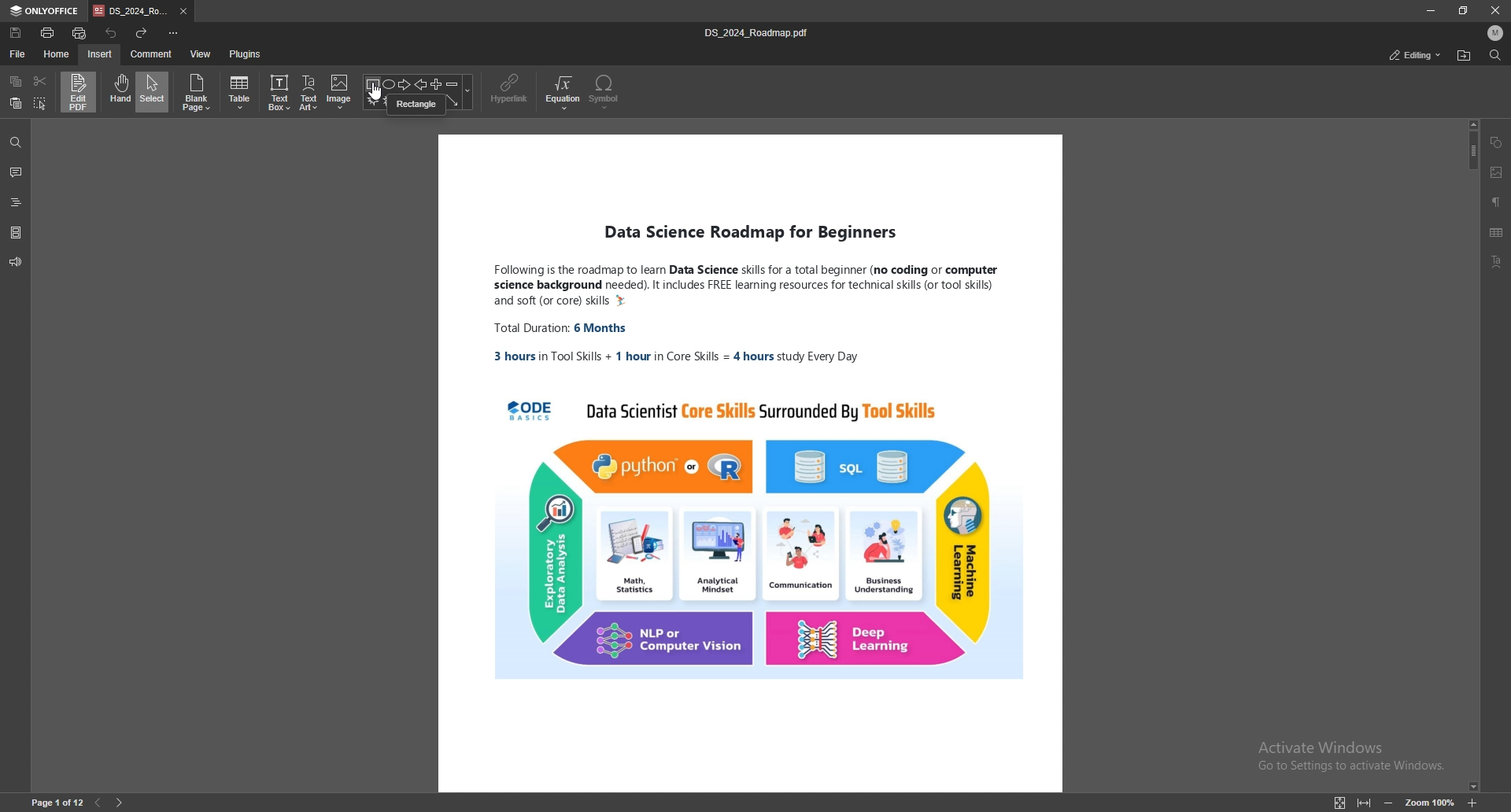 The height and width of the screenshot is (812, 1511). What do you see at coordinates (46, 11) in the screenshot?
I see `onlyoffice` at bounding box center [46, 11].